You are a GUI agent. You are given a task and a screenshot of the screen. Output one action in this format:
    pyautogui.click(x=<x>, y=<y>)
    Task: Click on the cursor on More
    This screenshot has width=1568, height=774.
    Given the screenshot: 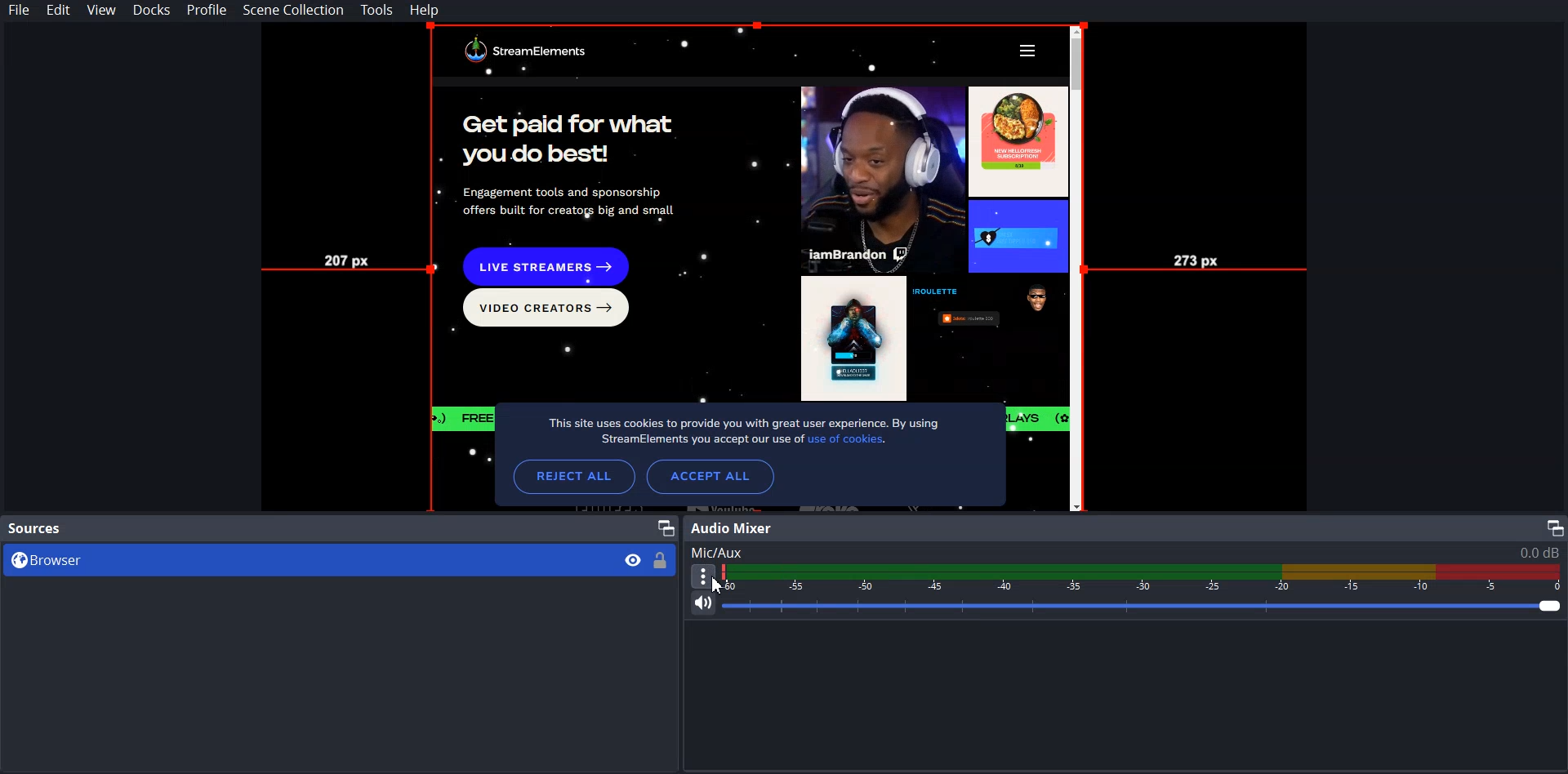 What is the action you would take?
    pyautogui.click(x=722, y=588)
    